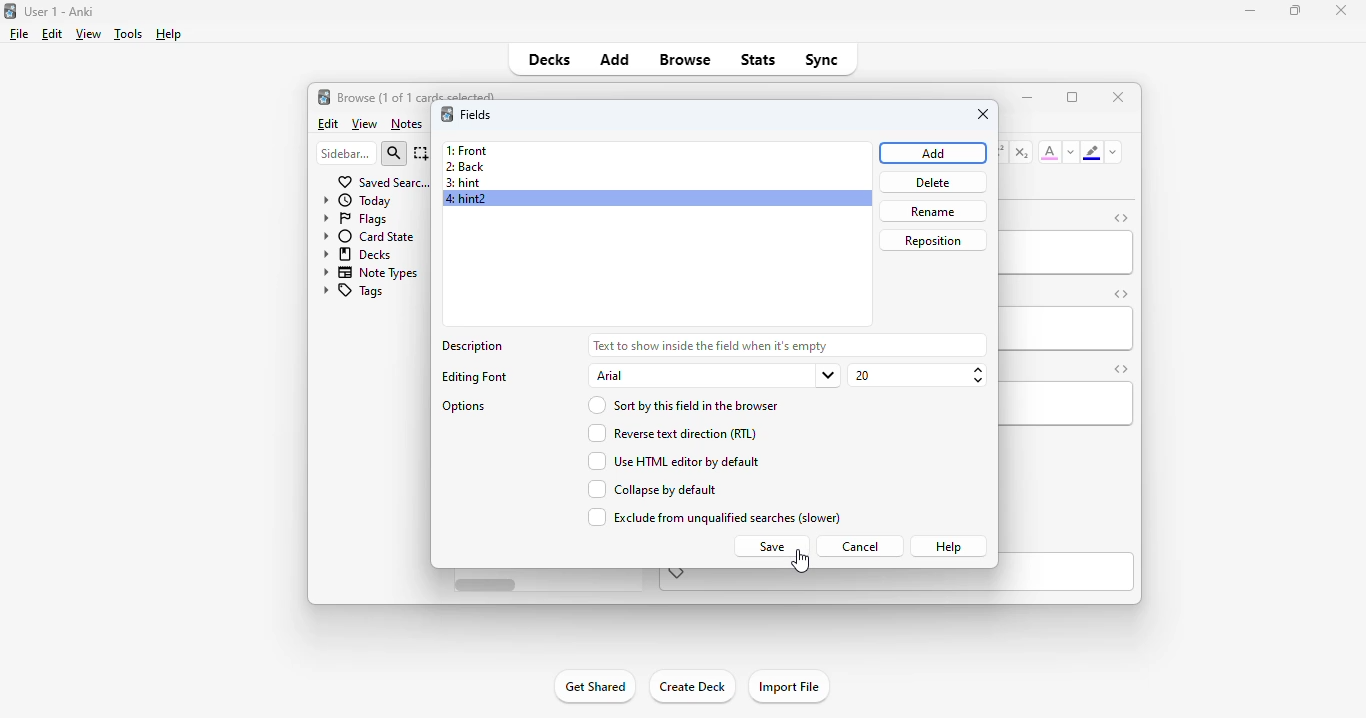 This screenshot has width=1366, height=718. I want to click on logo, so click(447, 113).